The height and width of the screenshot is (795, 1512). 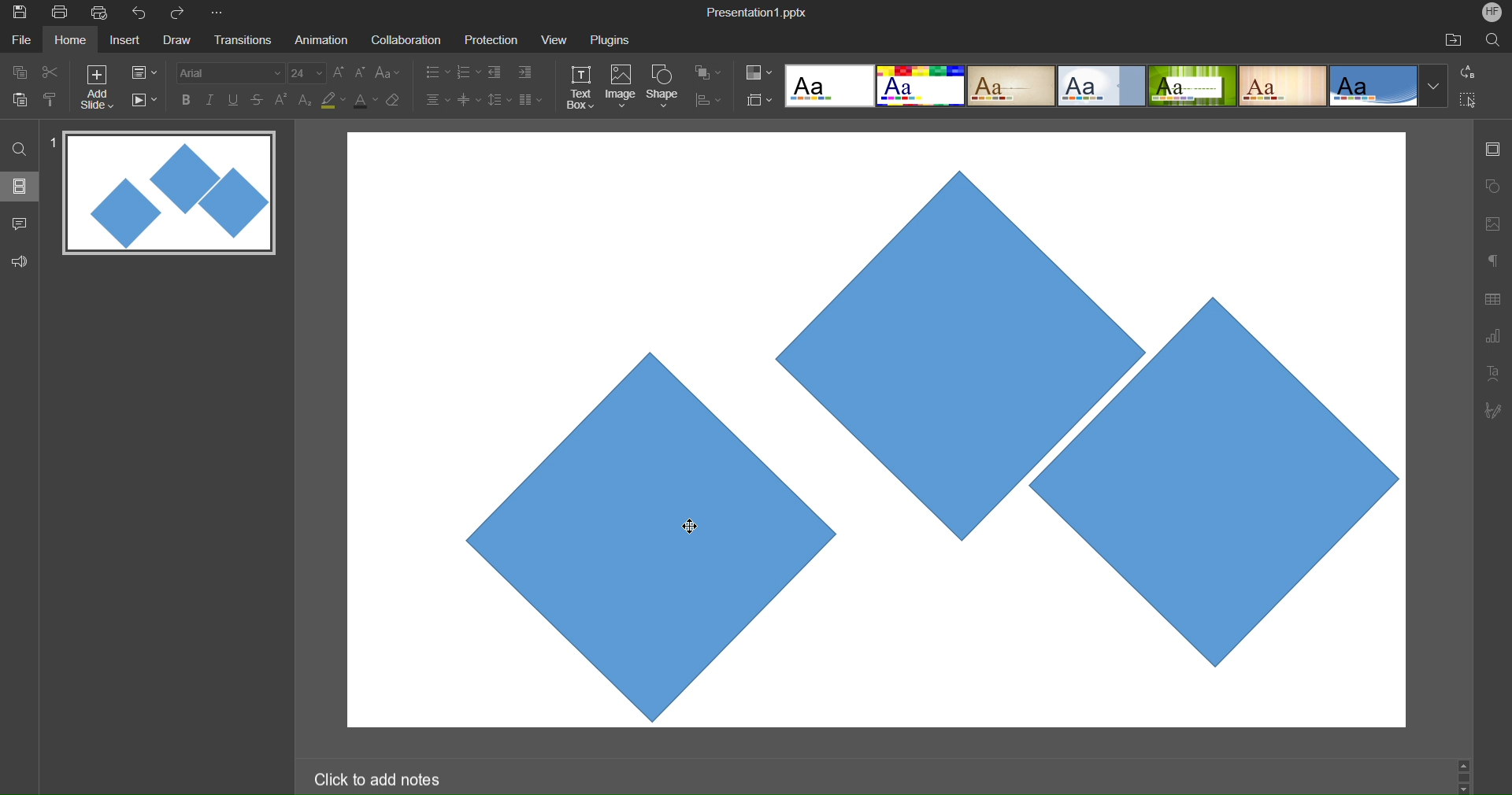 What do you see at coordinates (1490, 224) in the screenshot?
I see `Image Settings` at bounding box center [1490, 224].